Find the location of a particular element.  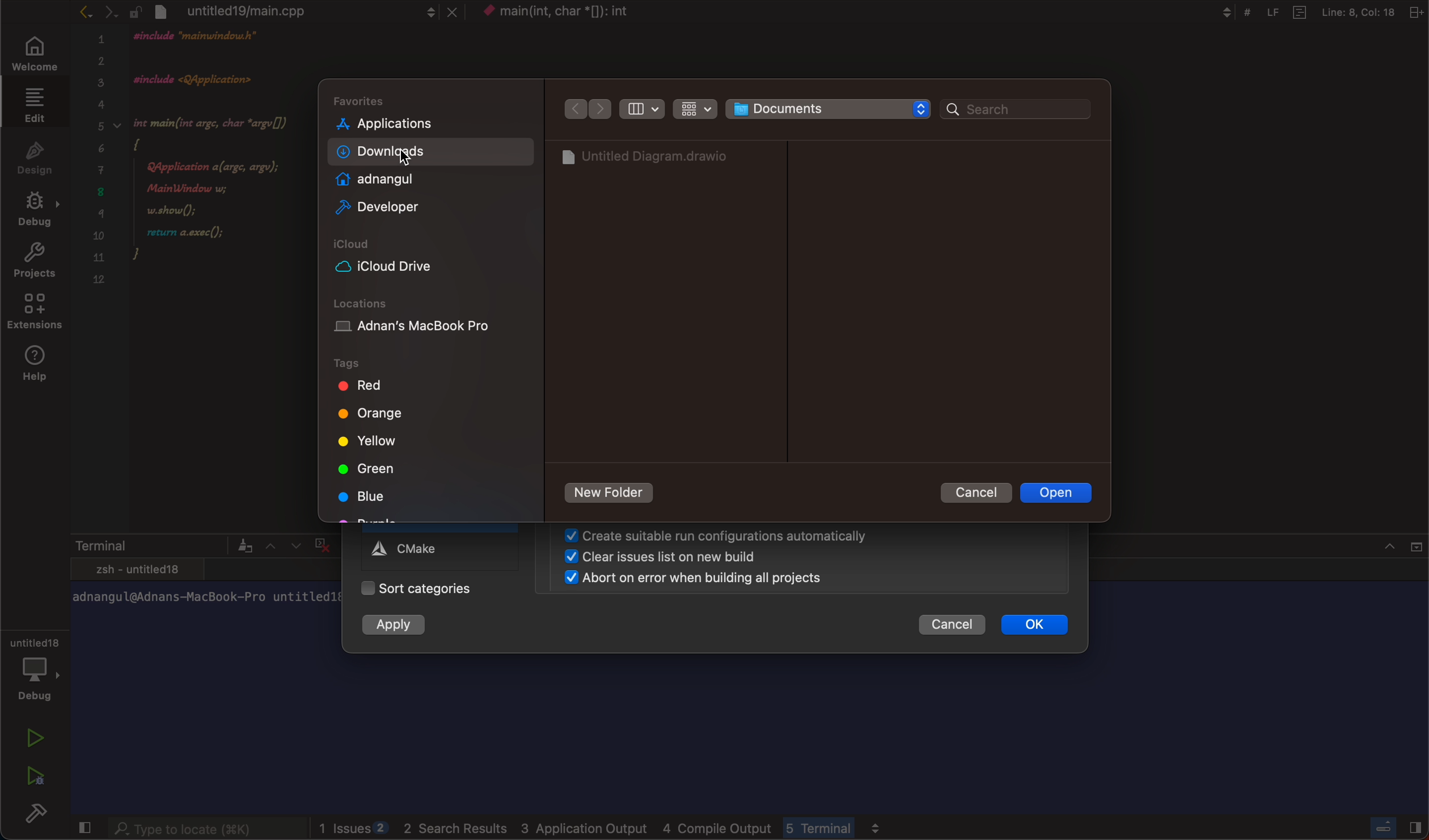

folders is located at coordinates (433, 156).